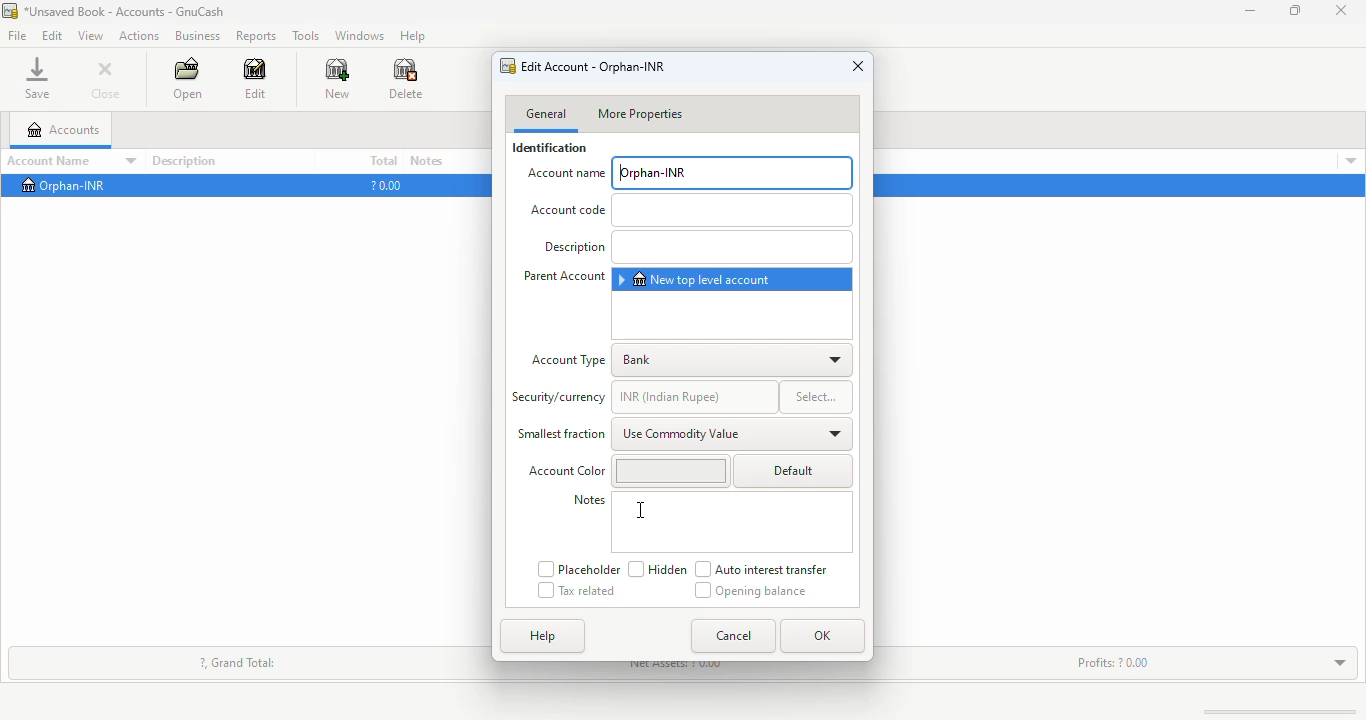 This screenshot has width=1366, height=720. What do you see at coordinates (564, 472) in the screenshot?
I see `Account Color` at bounding box center [564, 472].